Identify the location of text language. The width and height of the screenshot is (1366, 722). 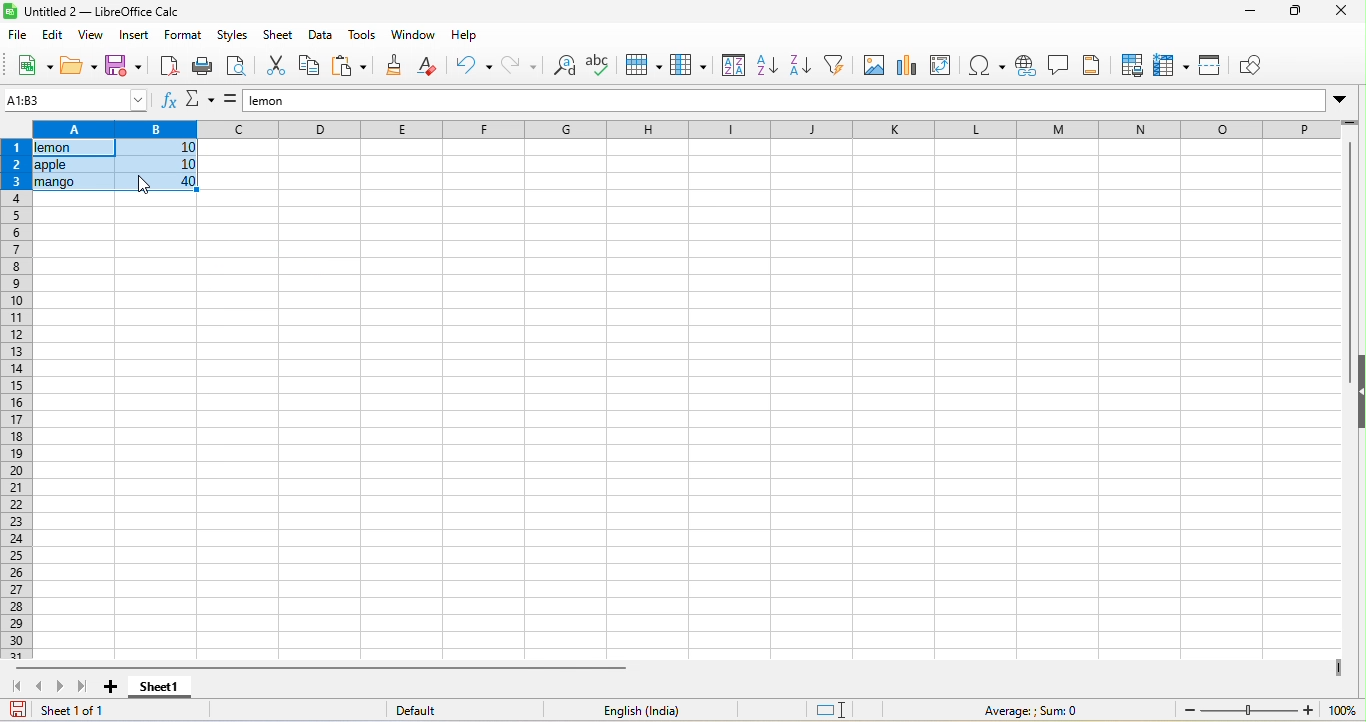
(639, 710).